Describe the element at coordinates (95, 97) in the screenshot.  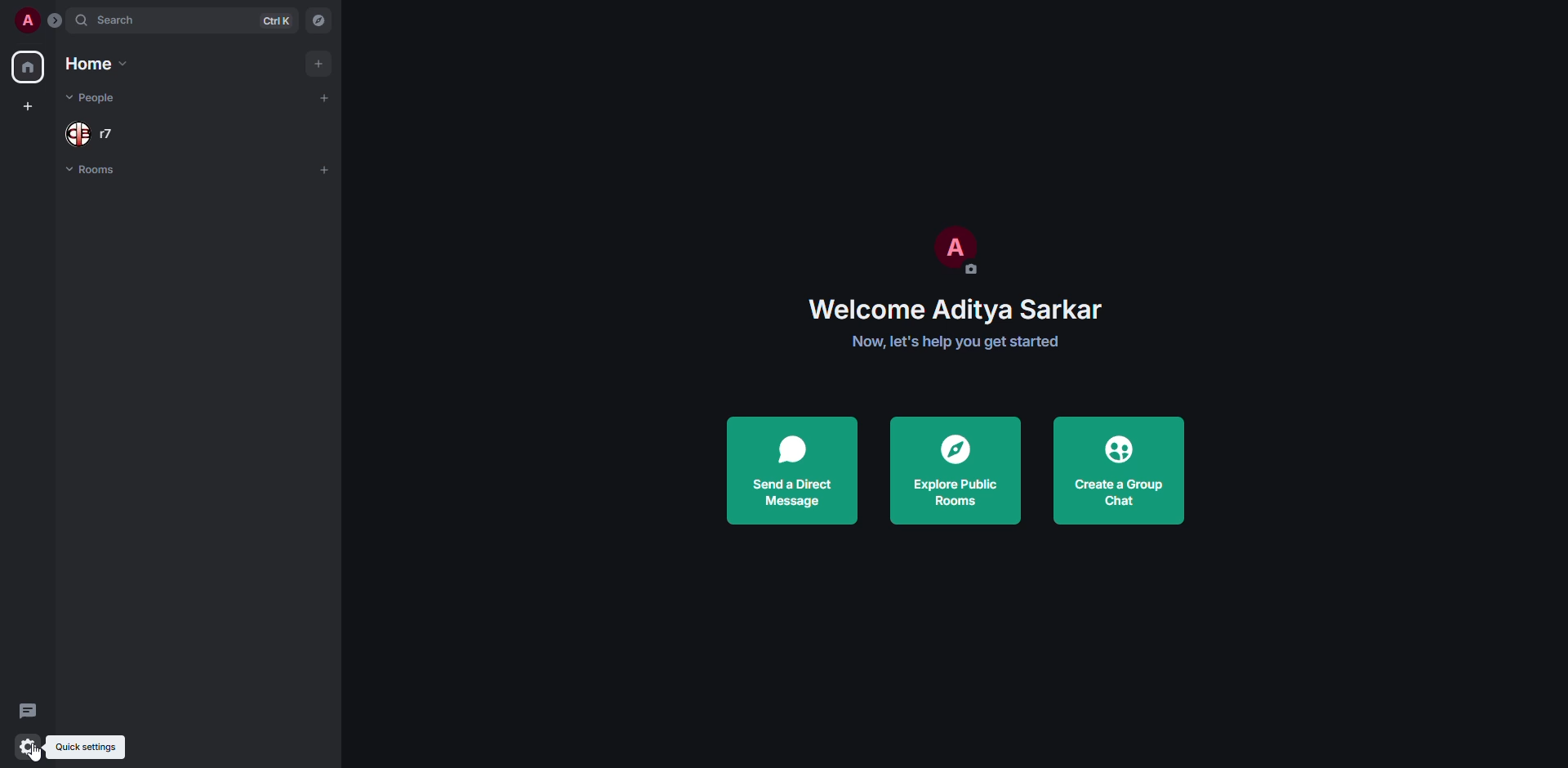
I see `people` at that location.